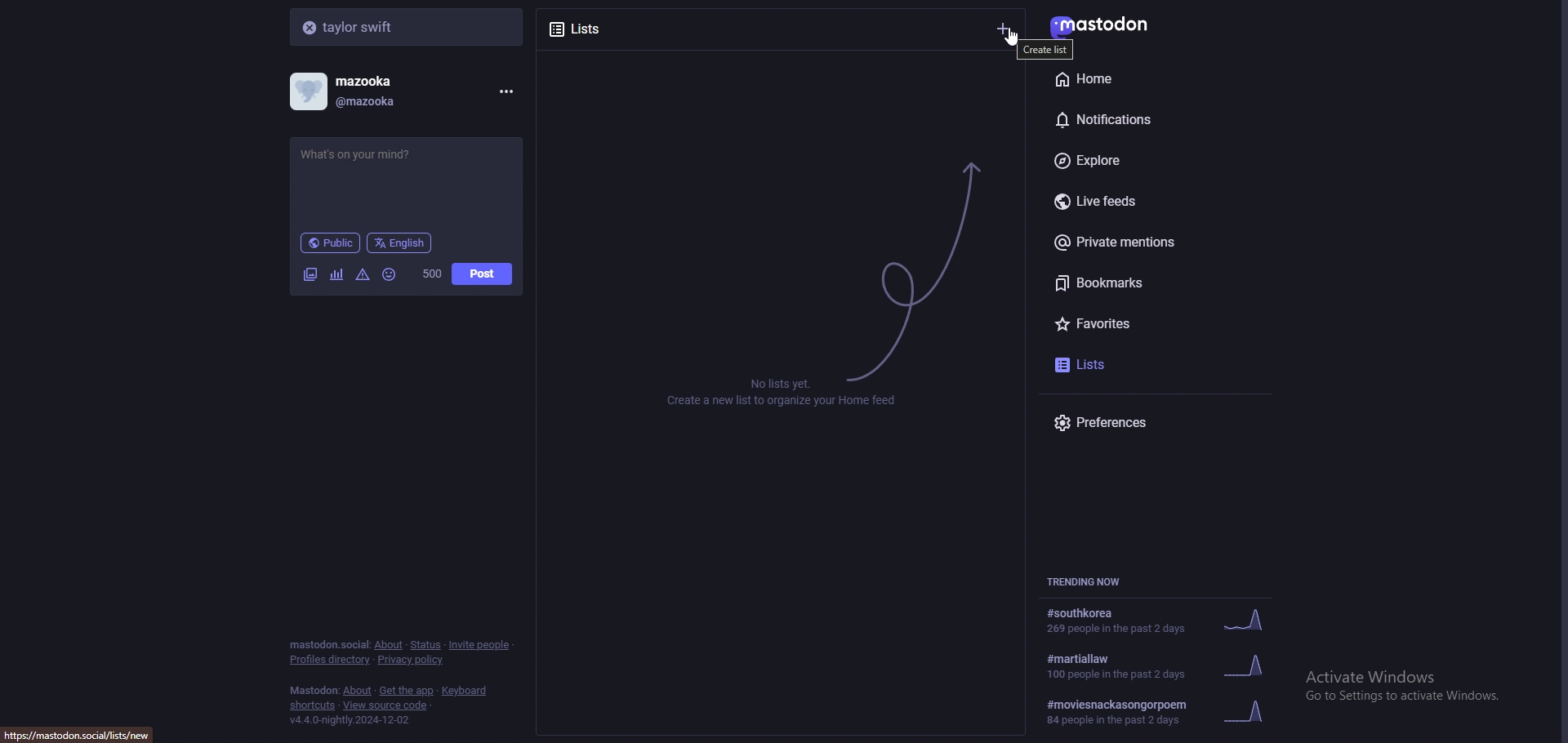 This screenshot has height=743, width=1568. Describe the element at coordinates (330, 242) in the screenshot. I see `audience` at that location.